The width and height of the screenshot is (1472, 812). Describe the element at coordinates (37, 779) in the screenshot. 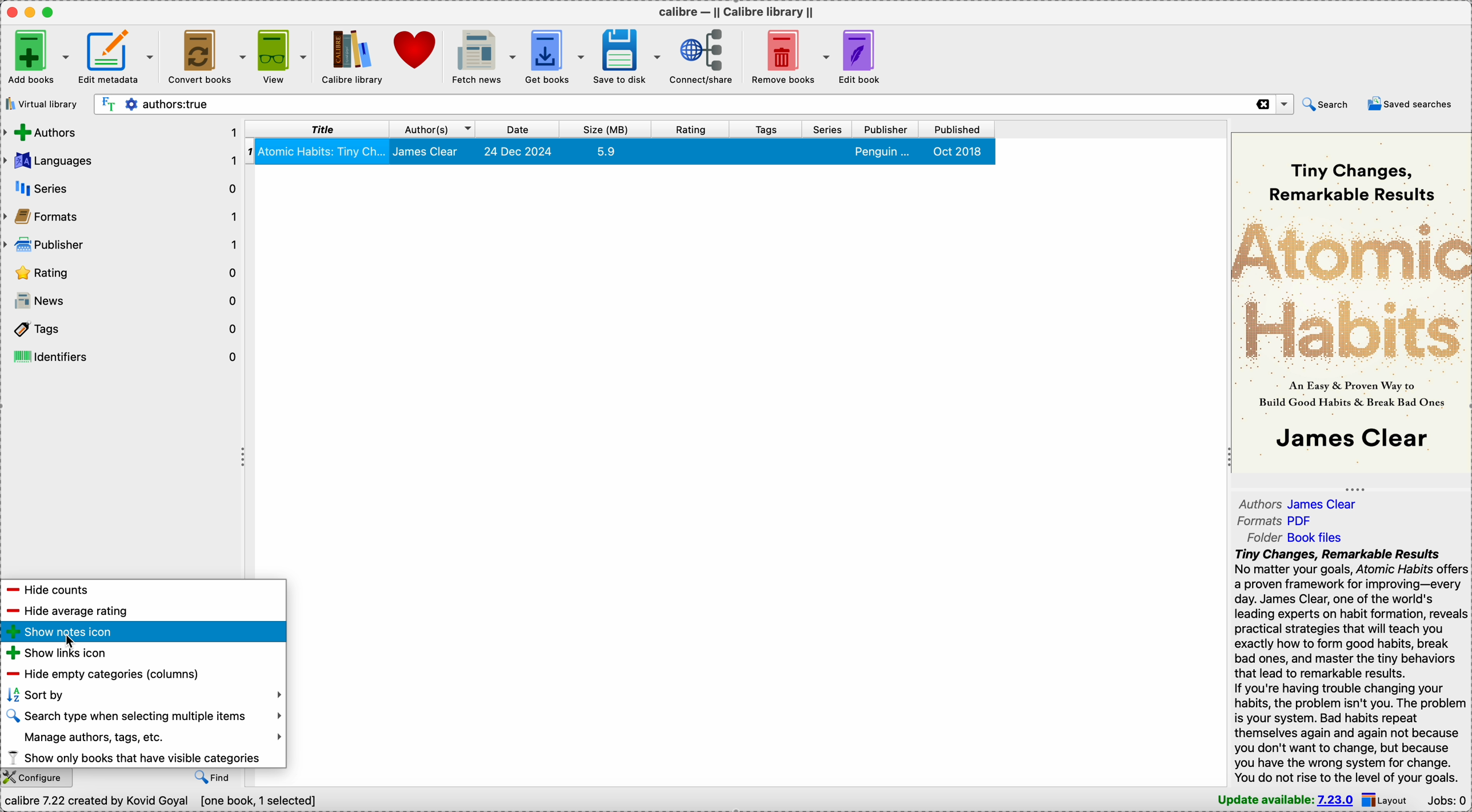

I see `configure` at that location.